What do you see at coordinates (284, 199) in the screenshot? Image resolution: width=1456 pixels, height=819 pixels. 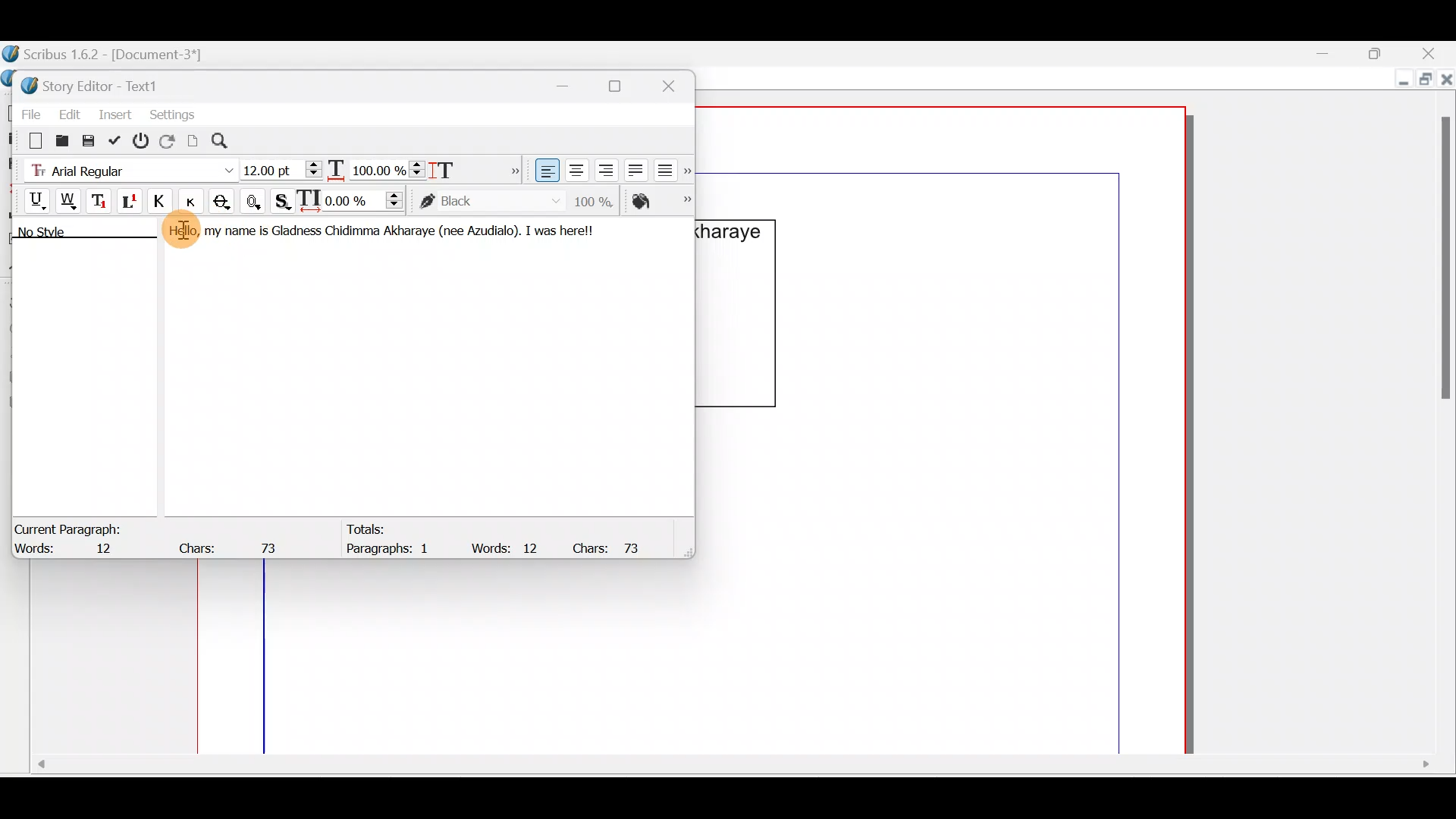 I see `Shadowed text` at bounding box center [284, 199].